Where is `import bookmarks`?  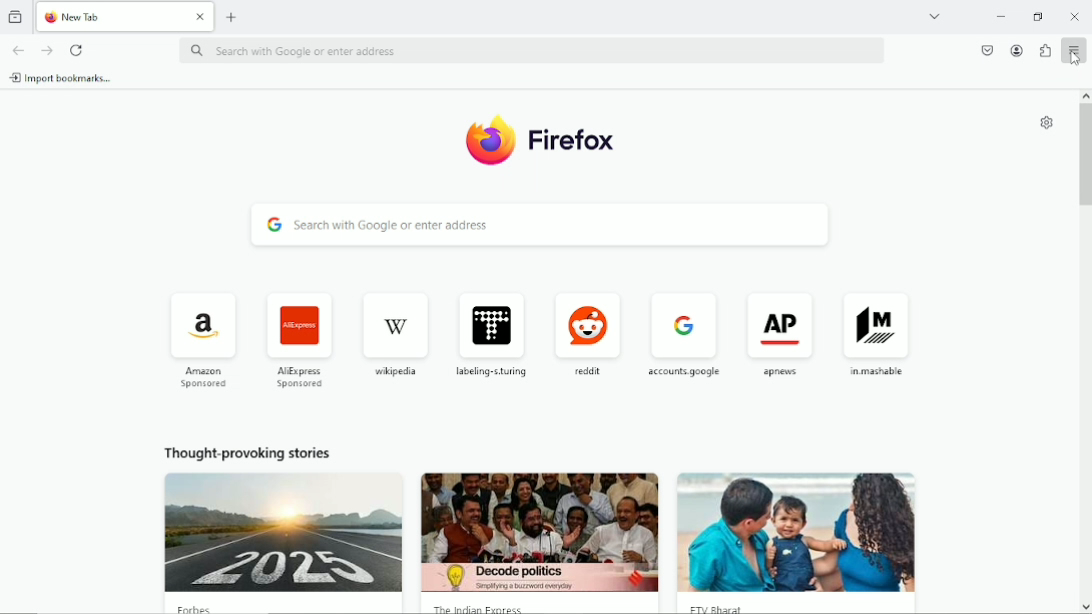 import bookmarks is located at coordinates (60, 78).